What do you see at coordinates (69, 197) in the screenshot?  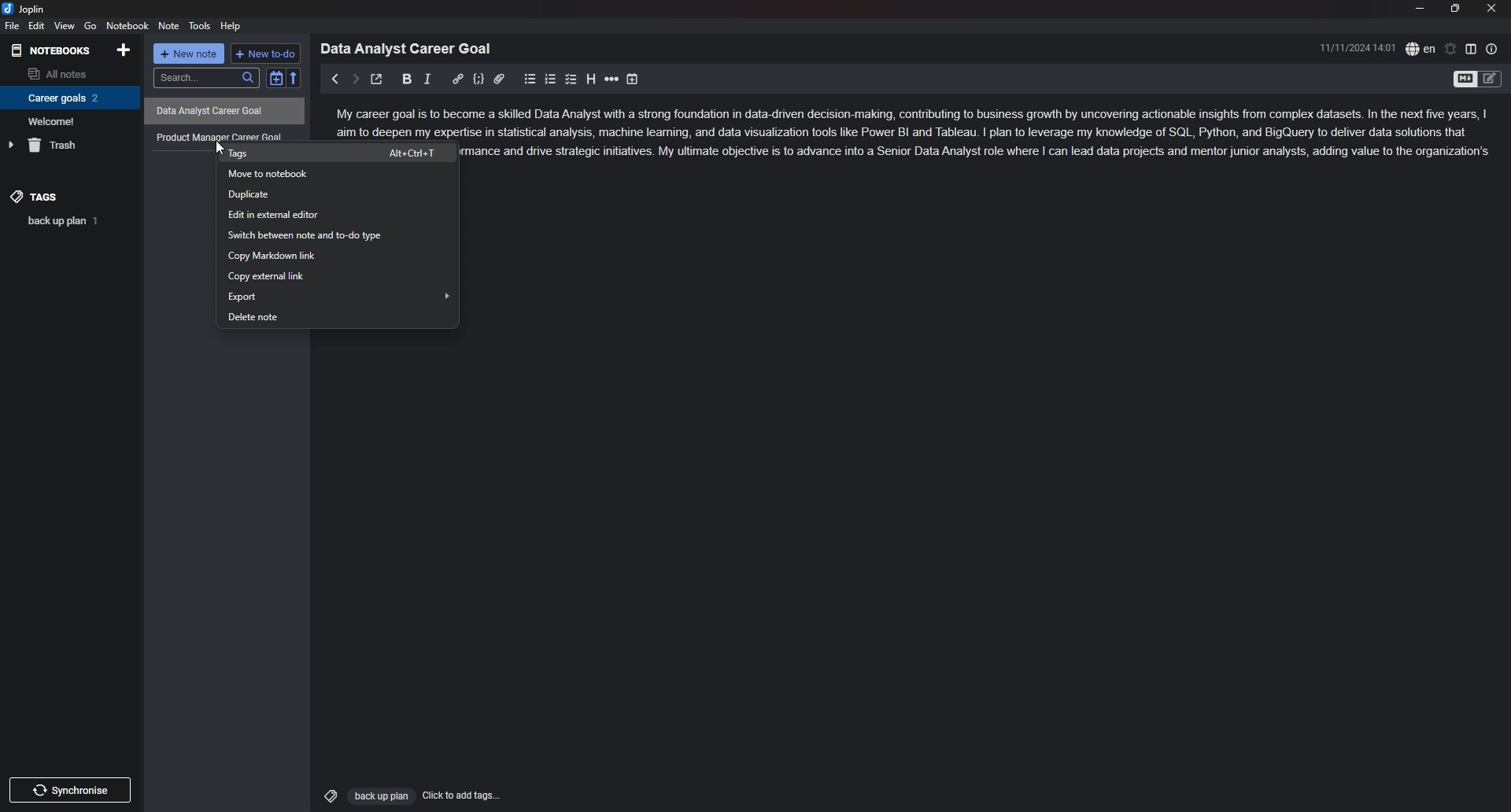 I see `tags` at bounding box center [69, 197].